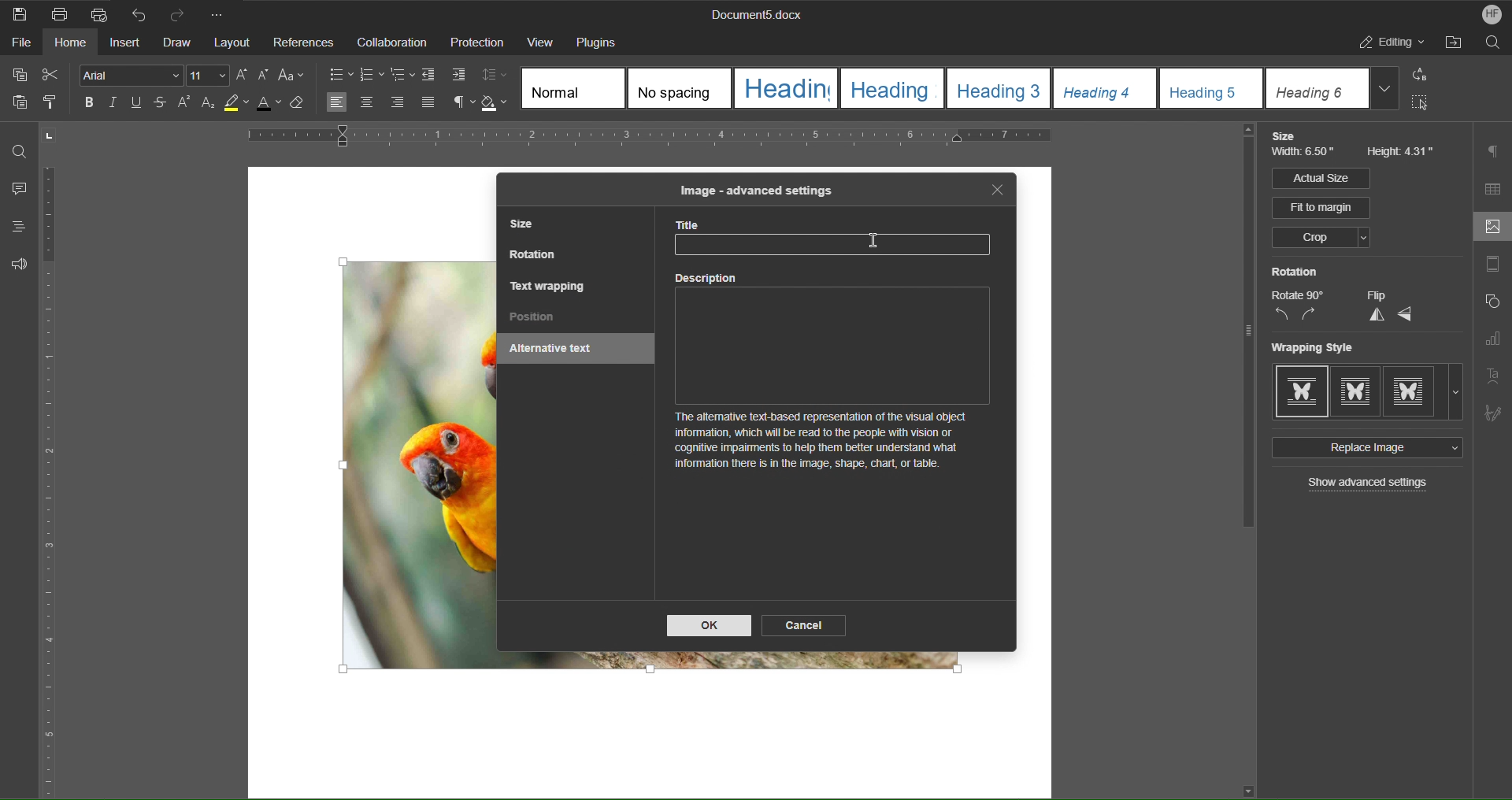 This screenshot has height=800, width=1512. Describe the element at coordinates (1311, 347) in the screenshot. I see `` at that location.